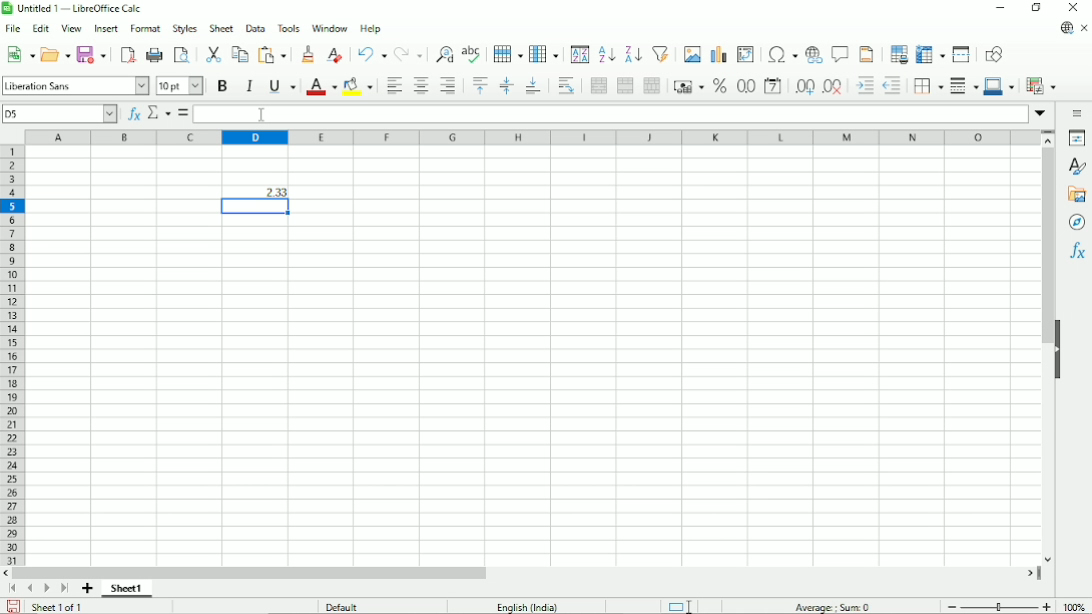  I want to click on Close document, so click(1084, 28).